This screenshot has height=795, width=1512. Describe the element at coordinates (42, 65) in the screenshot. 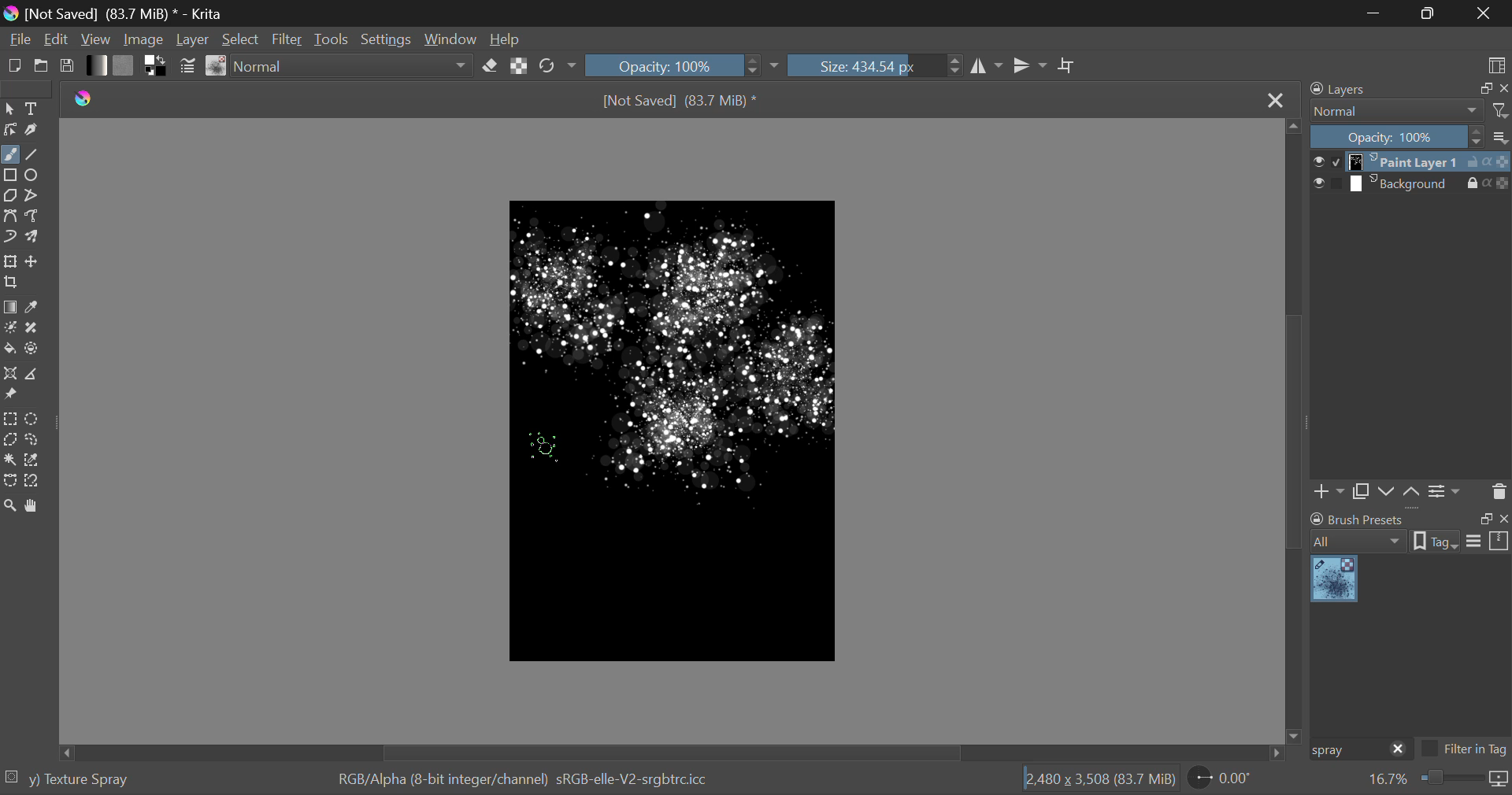

I see `Open` at that location.